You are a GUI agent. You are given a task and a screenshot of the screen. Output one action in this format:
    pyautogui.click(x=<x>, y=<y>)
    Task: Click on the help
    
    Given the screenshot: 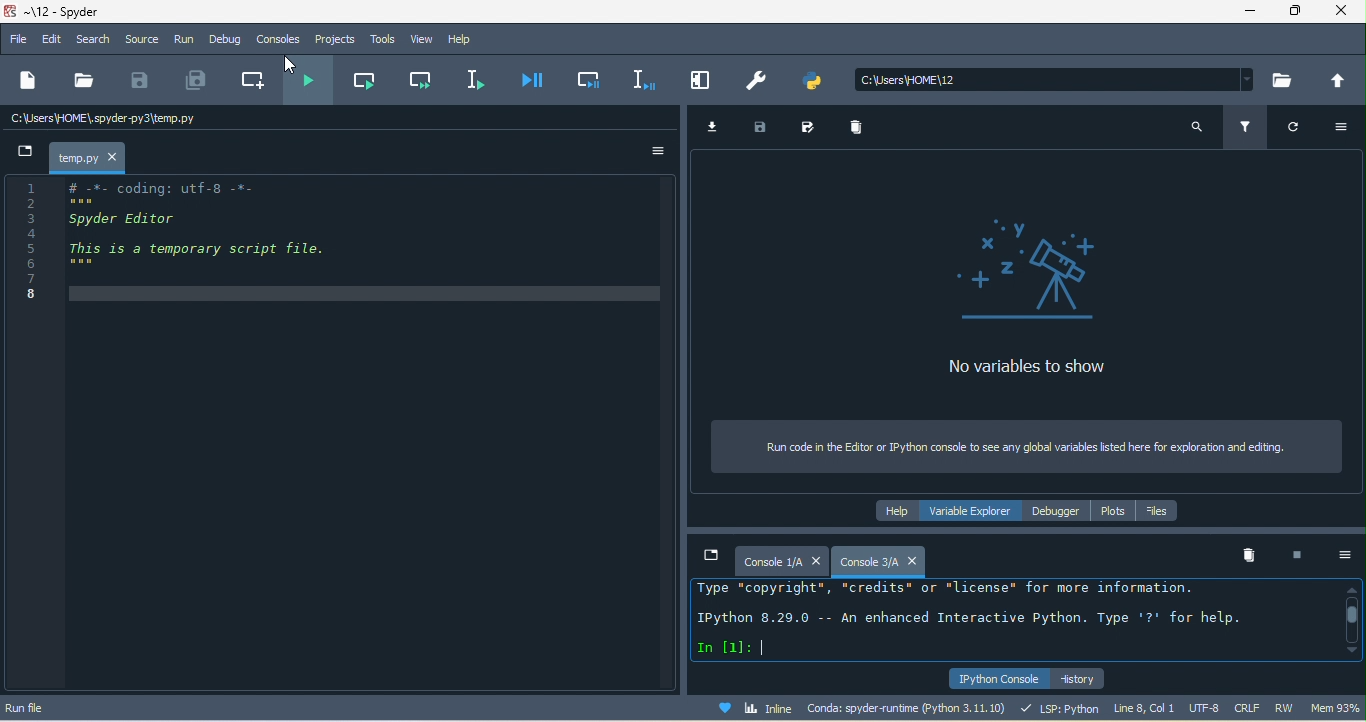 What is the action you would take?
    pyautogui.click(x=463, y=40)
    